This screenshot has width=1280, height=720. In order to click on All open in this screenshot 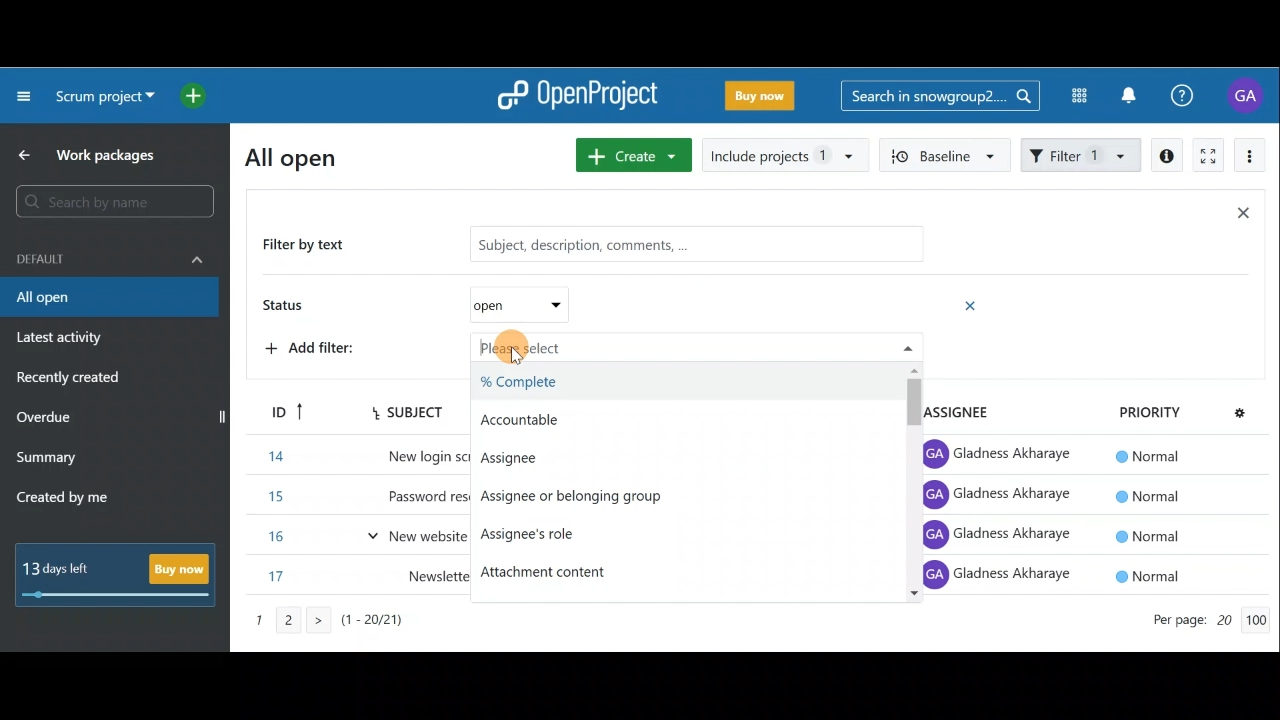, I will do `click(303, 156)`.